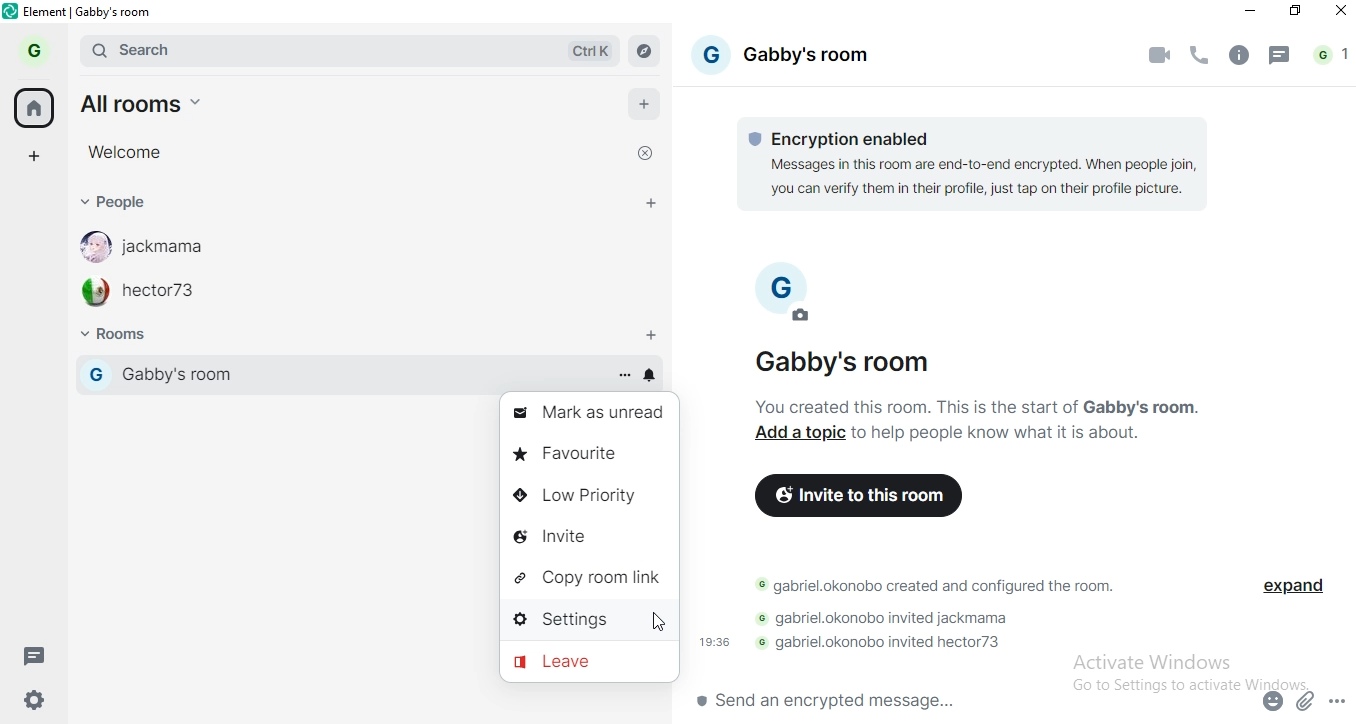 The width and height of the screenshot is (1356, 724). What do you see at coordinates (588, 533) in the screenshot?
I see `invite` at bounding box center [588, 533].